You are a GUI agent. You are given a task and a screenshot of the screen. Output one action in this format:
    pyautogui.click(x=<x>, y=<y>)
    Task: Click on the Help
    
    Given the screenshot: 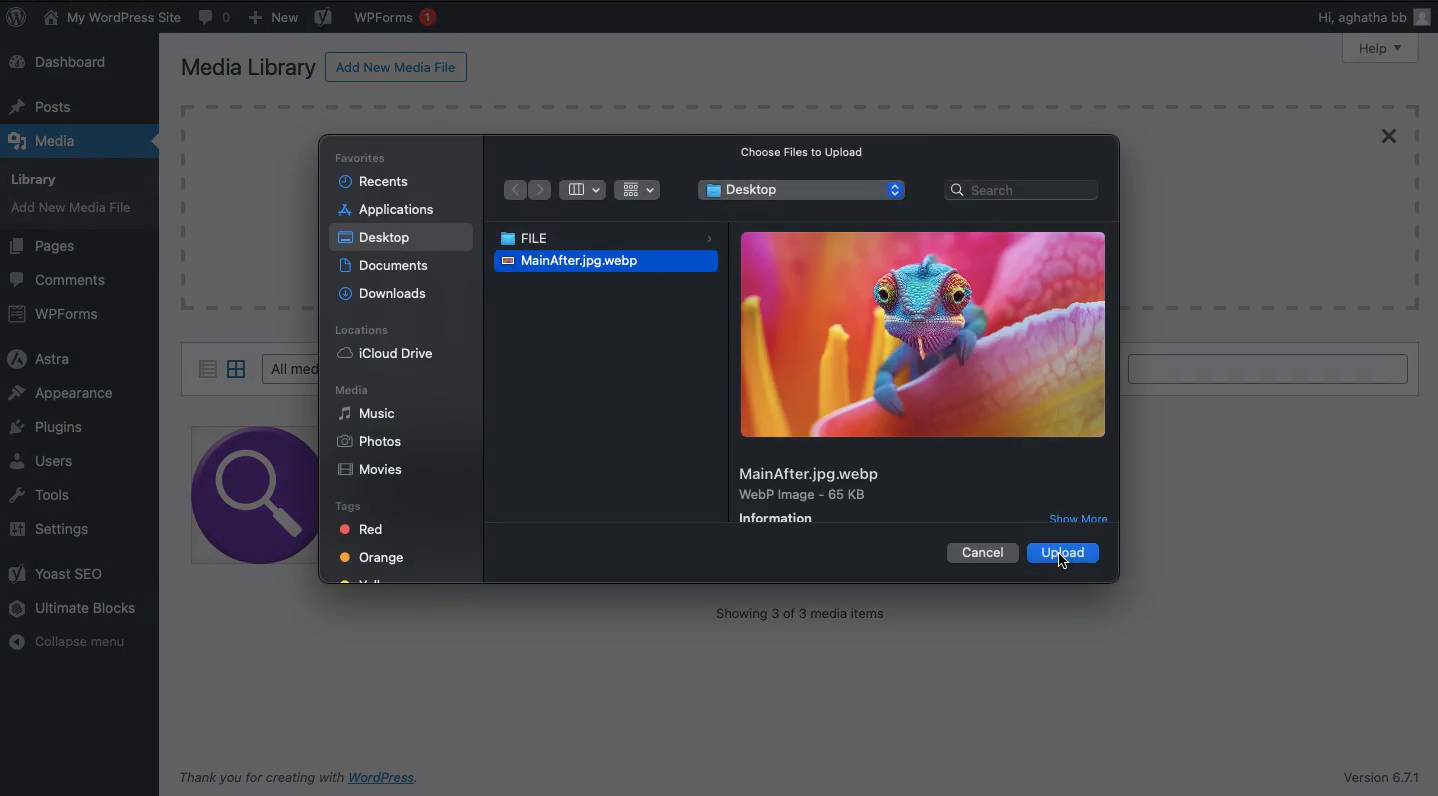 What is the action you would take?
    pyautogui.click(x=1382, y=48)
    